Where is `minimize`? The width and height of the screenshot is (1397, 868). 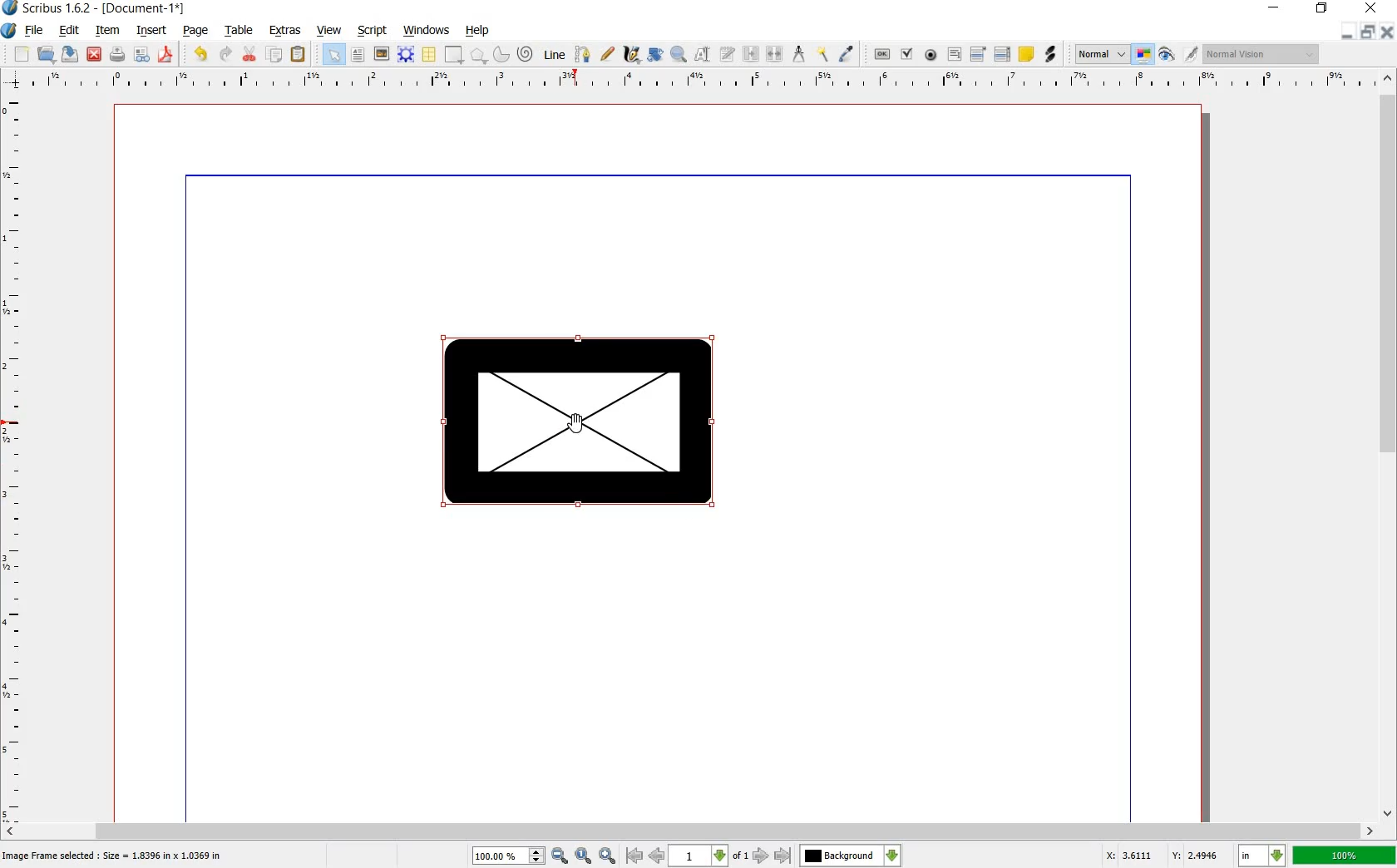 minimize is located at coordinates (1275, 8).